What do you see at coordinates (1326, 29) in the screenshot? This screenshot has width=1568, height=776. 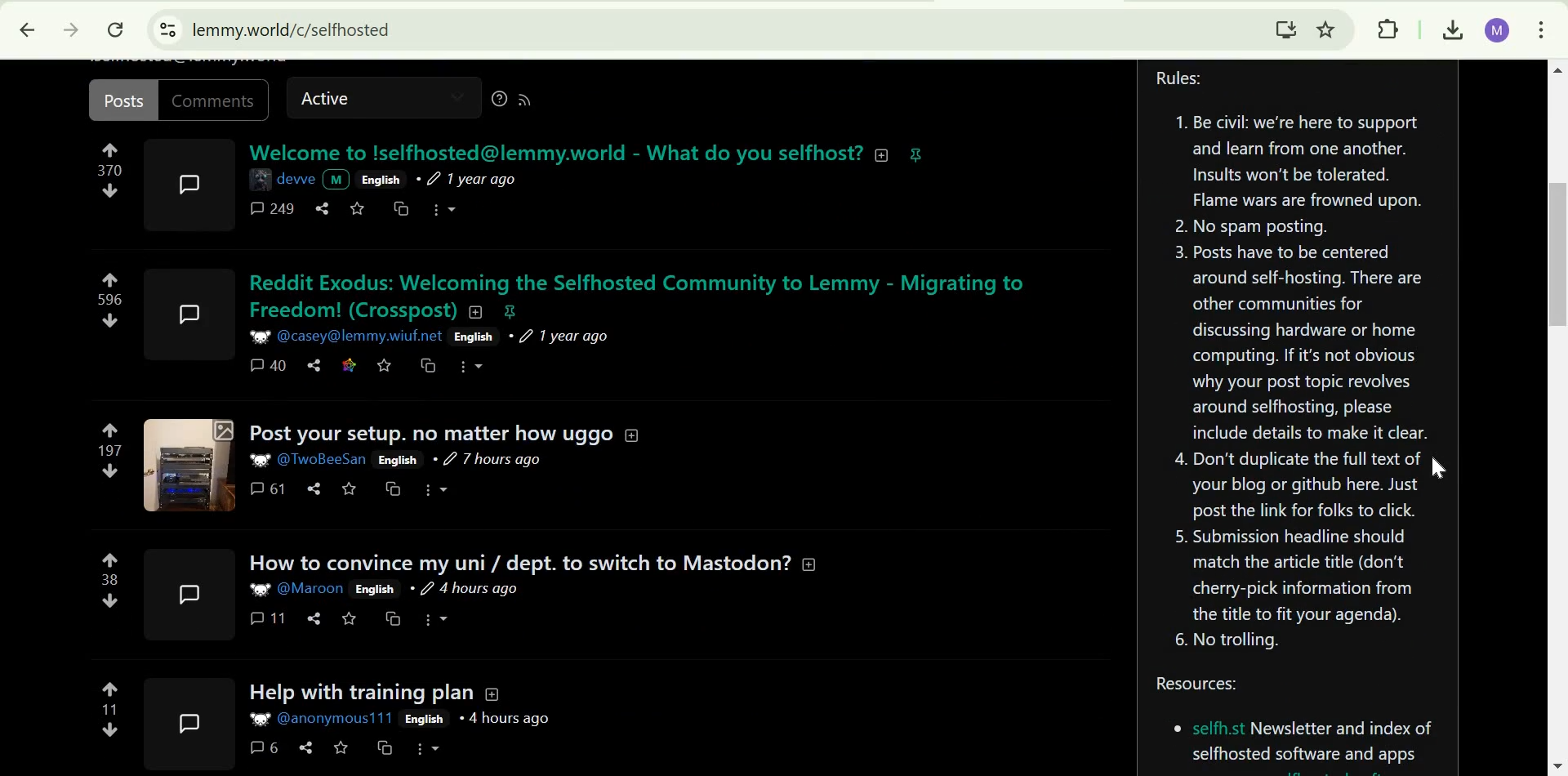 I see `Bookmark this tab` at bounding box center [1326, 29].